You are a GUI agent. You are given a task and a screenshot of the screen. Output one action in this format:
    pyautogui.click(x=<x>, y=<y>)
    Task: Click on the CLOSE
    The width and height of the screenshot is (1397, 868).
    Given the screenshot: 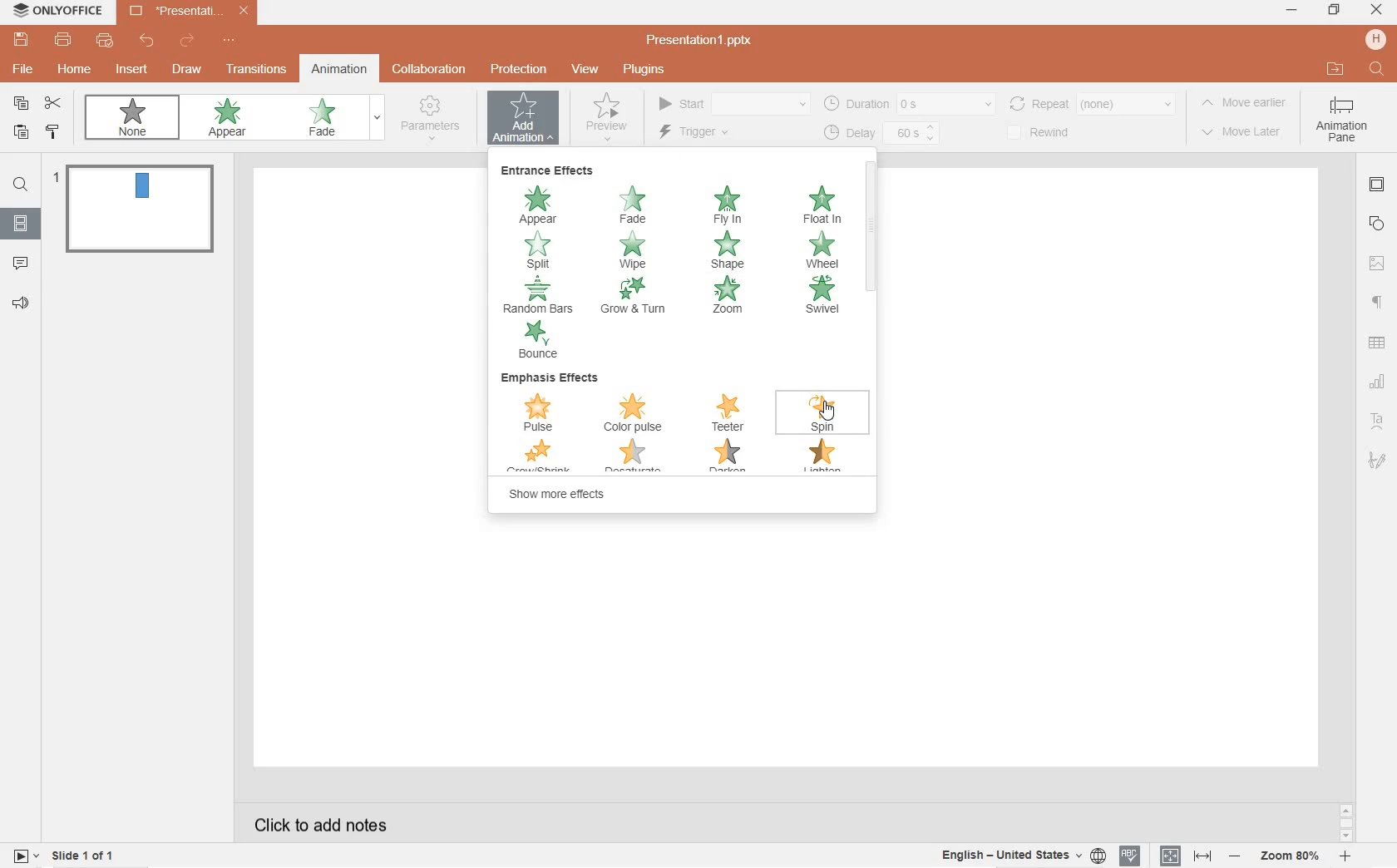 What is the action you would take?
    pyautogui.click(x=1377, y=11)
    